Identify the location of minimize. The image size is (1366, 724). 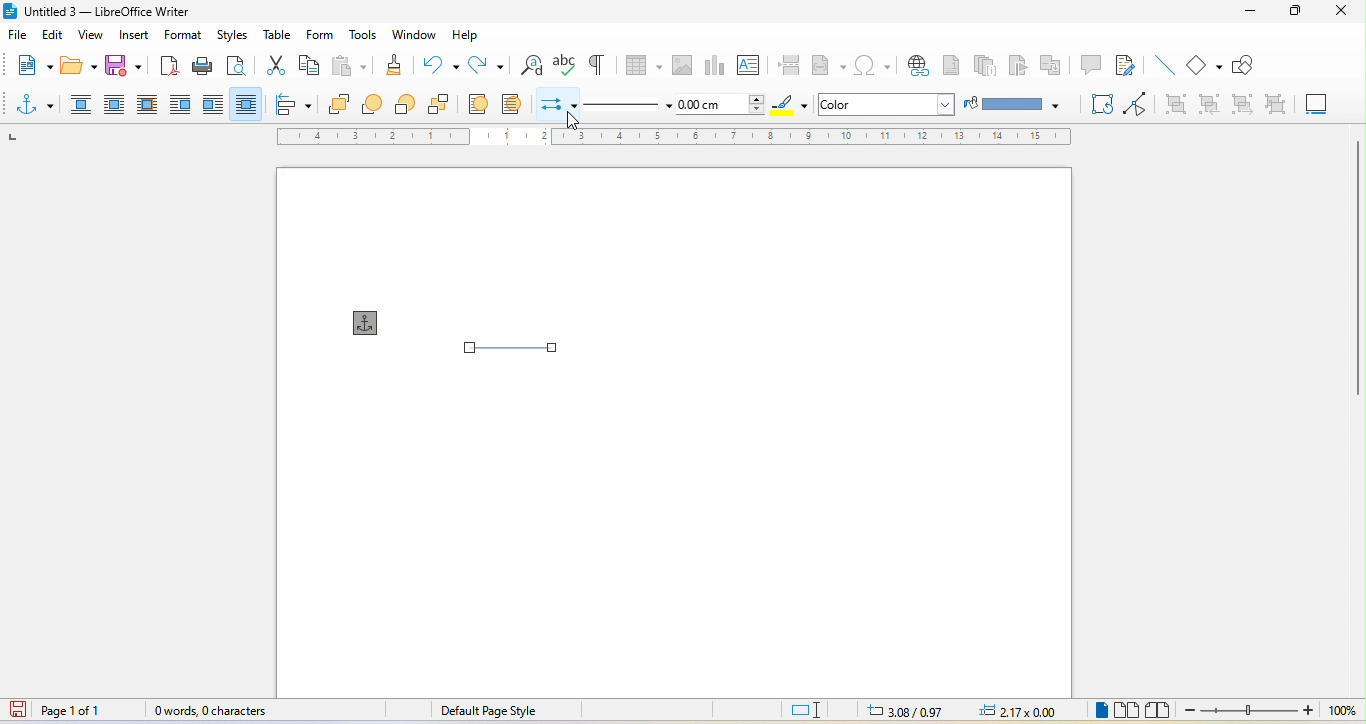
(1251, 10).